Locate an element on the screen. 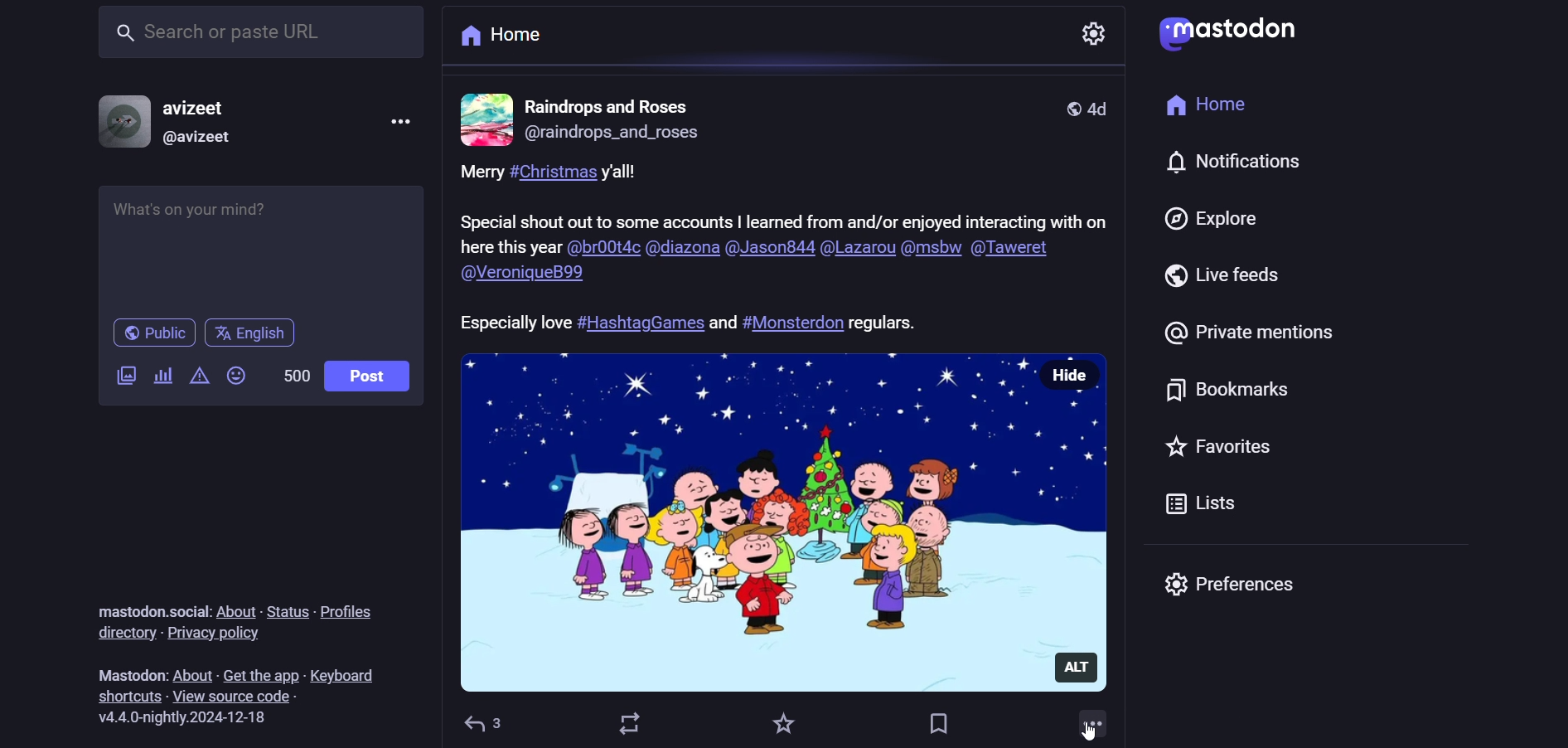  about is located at coordinates (190, 668).